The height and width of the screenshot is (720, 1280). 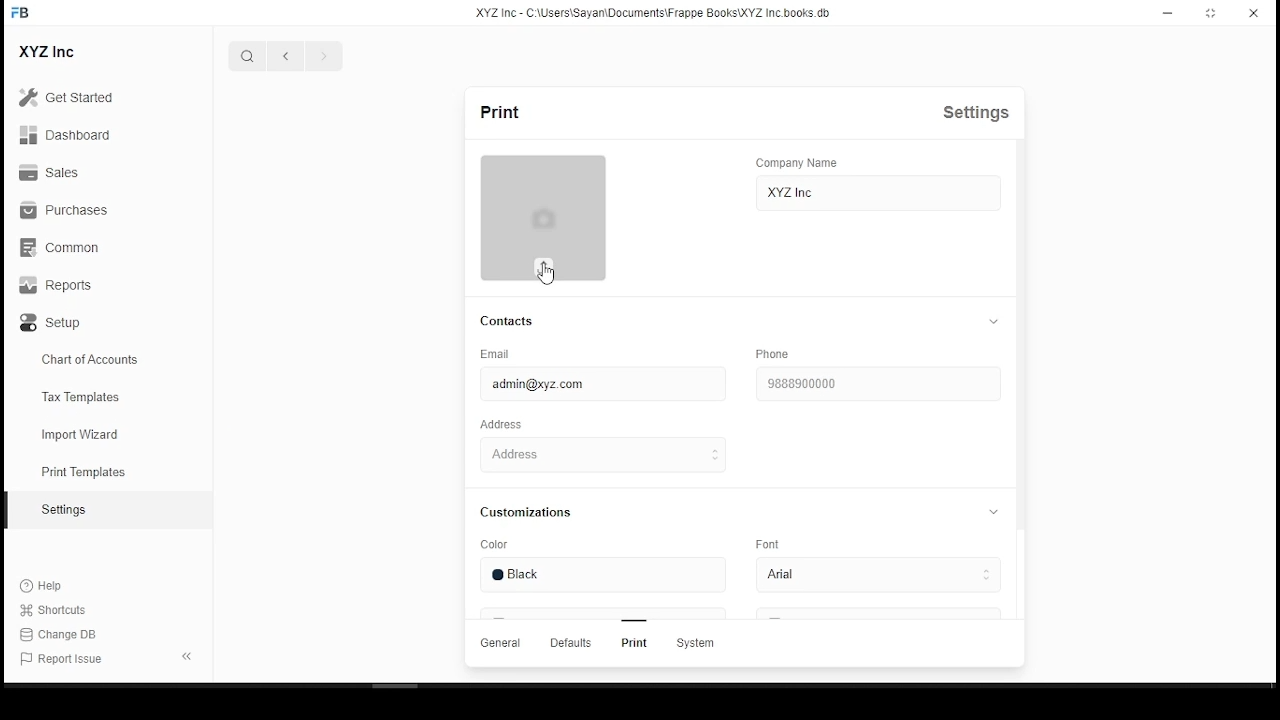 I want to click on Common, so click(x=61, y=247).